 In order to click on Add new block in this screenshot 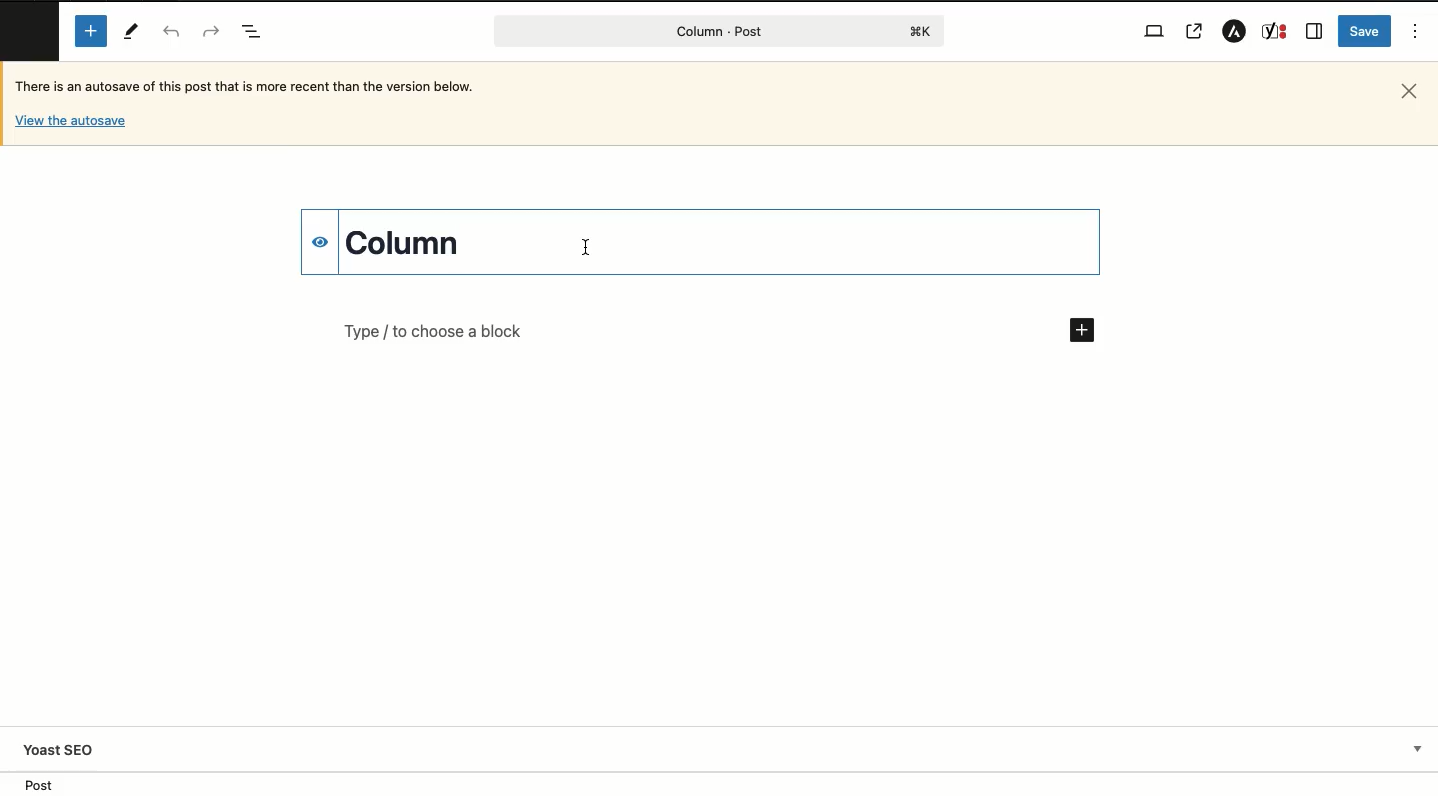, I will do `click(719, 329)`.